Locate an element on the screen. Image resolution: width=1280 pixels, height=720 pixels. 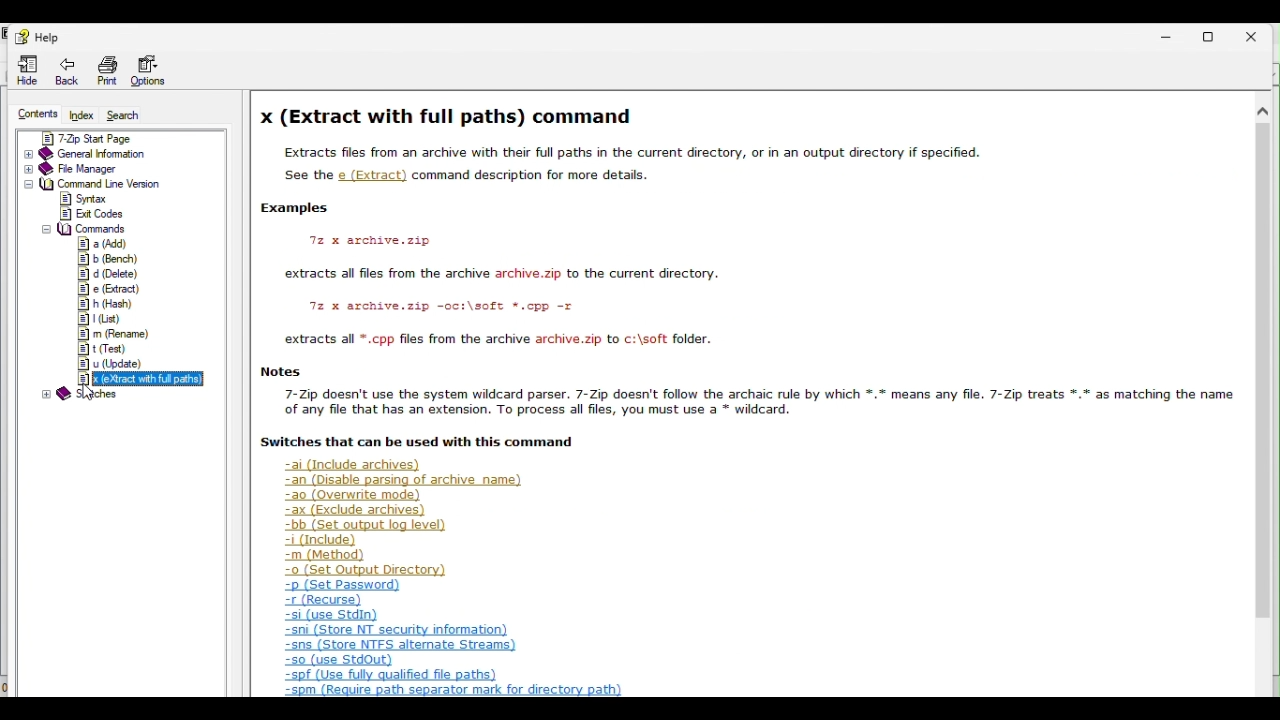
x (eXtract with full paths) is located at coordinates (137, 379).